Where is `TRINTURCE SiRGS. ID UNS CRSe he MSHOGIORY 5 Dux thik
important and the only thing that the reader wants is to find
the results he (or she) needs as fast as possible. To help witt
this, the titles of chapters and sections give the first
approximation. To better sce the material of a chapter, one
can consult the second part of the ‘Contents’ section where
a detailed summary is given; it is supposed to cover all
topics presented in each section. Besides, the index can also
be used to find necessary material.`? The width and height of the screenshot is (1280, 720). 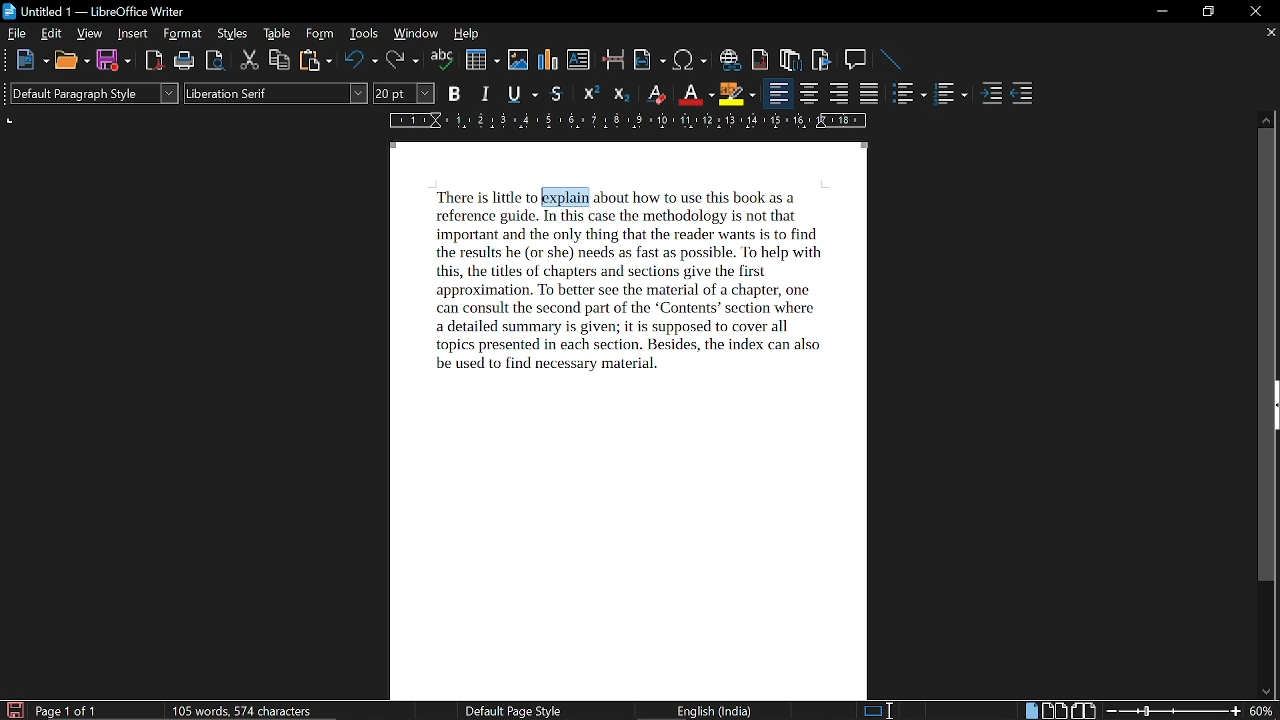 TRINTURCE SiRGS. ID UNS CRSe he MSHOGIORY 5 Dux thik
important and the only thing that the reader wants is to find
the results he (or she) needs as fast as possible. To help witt
this, the titles of chapters and sections give the first
approximation. To better sce the material of a chapter, one
can consult the second part of the ‘Contents’ section where
a detailed summary is given; it is supposed to cover all
topics presented in each section. Besides, the index can also
be used to find necessary material. is located at coordinates (621, 291).